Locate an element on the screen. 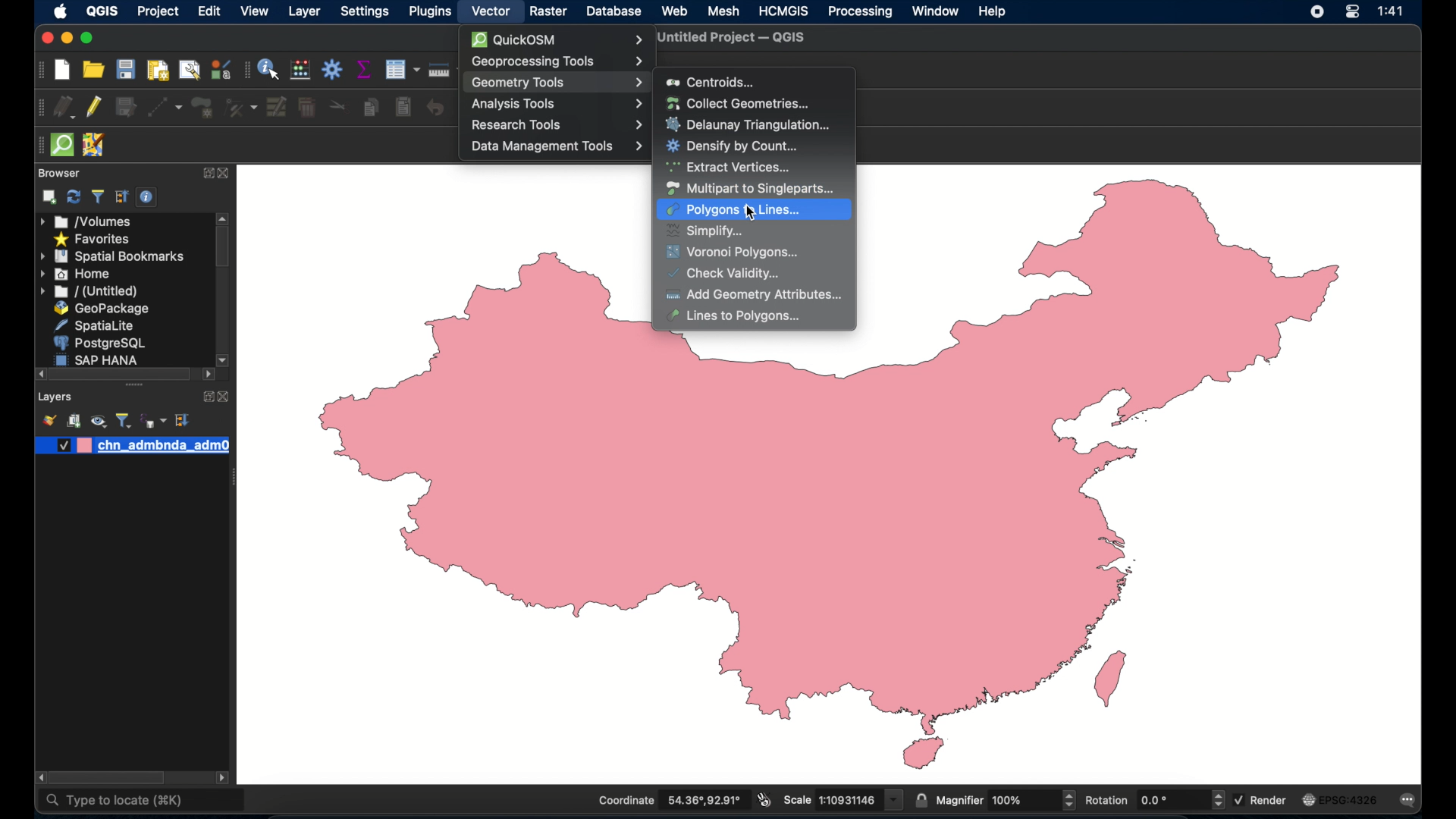 The width and height of the screenshot is (1456, 819). rotation is located at coordinates (1153, 799).